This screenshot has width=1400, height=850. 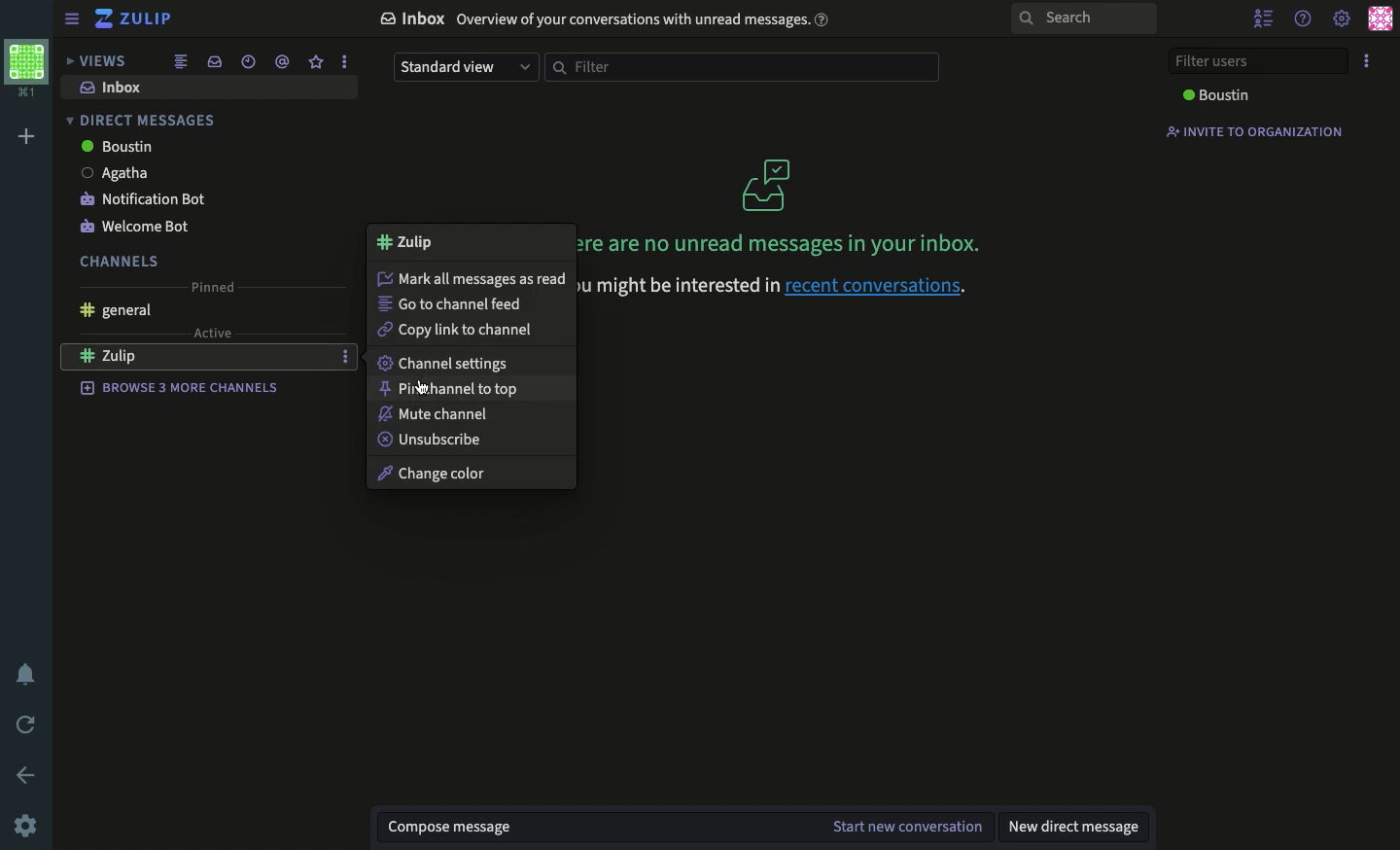 I want to click on filter, so click(x=746, y=67).